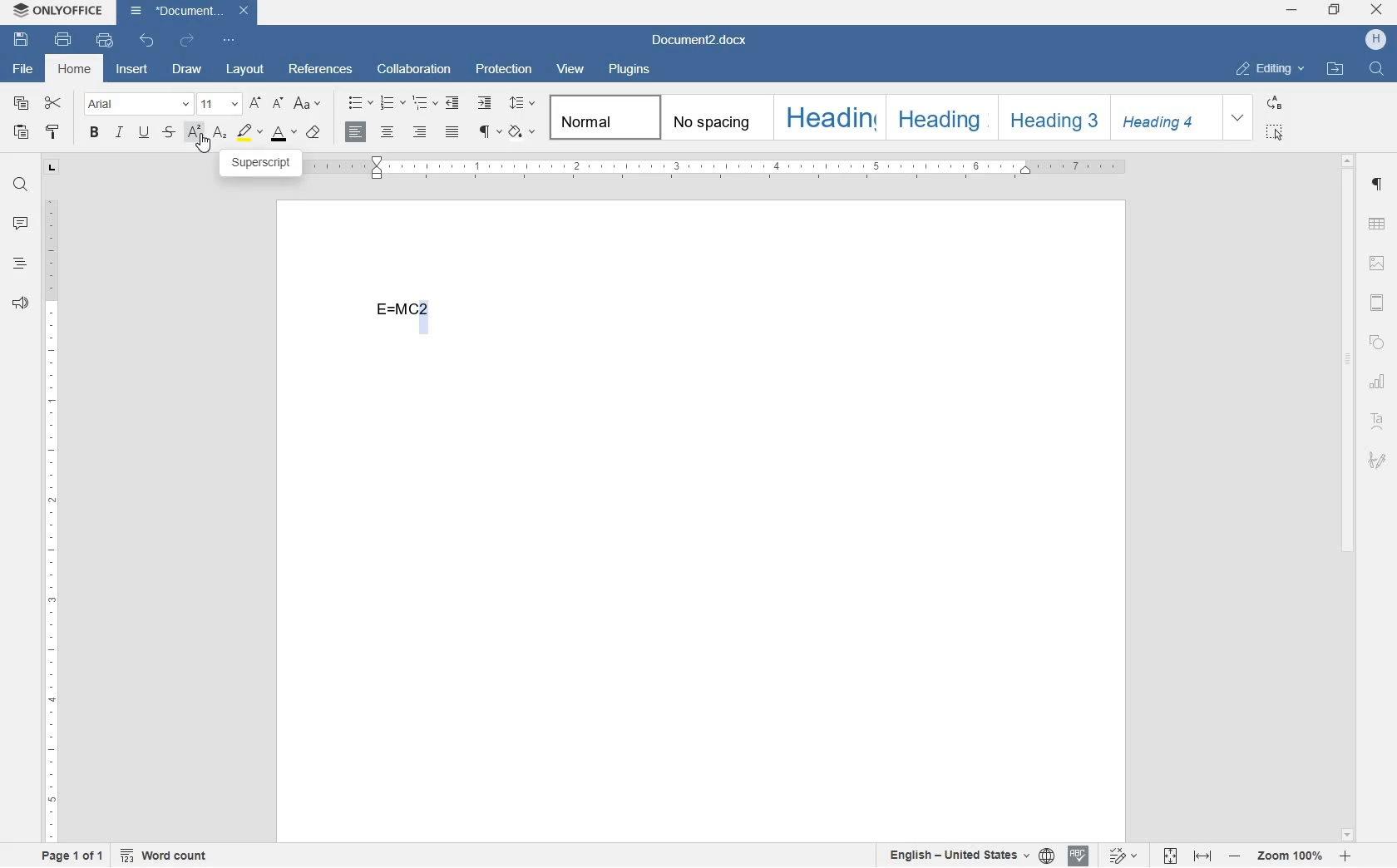 This screenshot has width=1397, height=868. I want to click on ruler, so click(717, 168).